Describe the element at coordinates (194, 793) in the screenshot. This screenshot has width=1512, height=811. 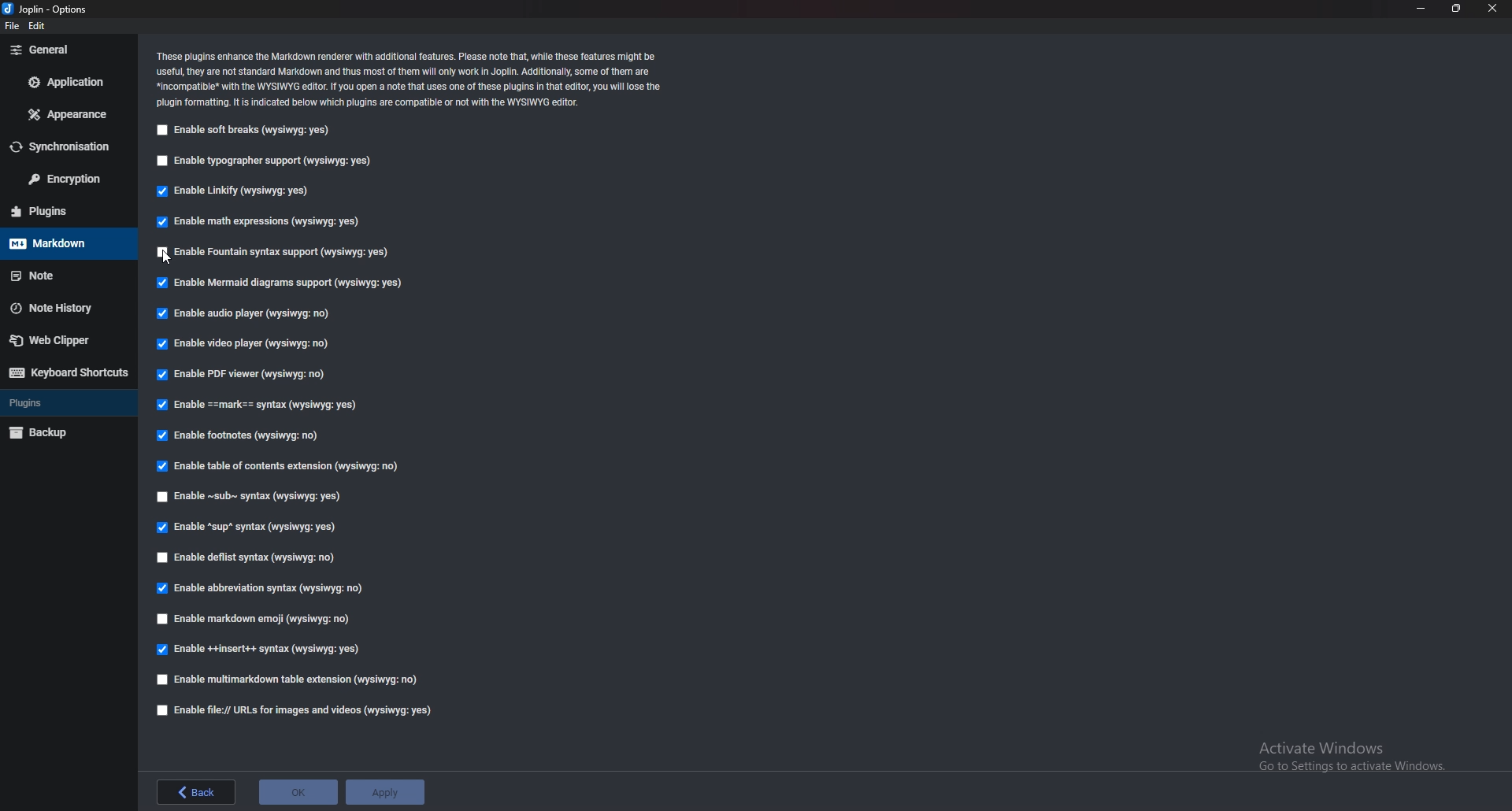
I see `back` at that location.